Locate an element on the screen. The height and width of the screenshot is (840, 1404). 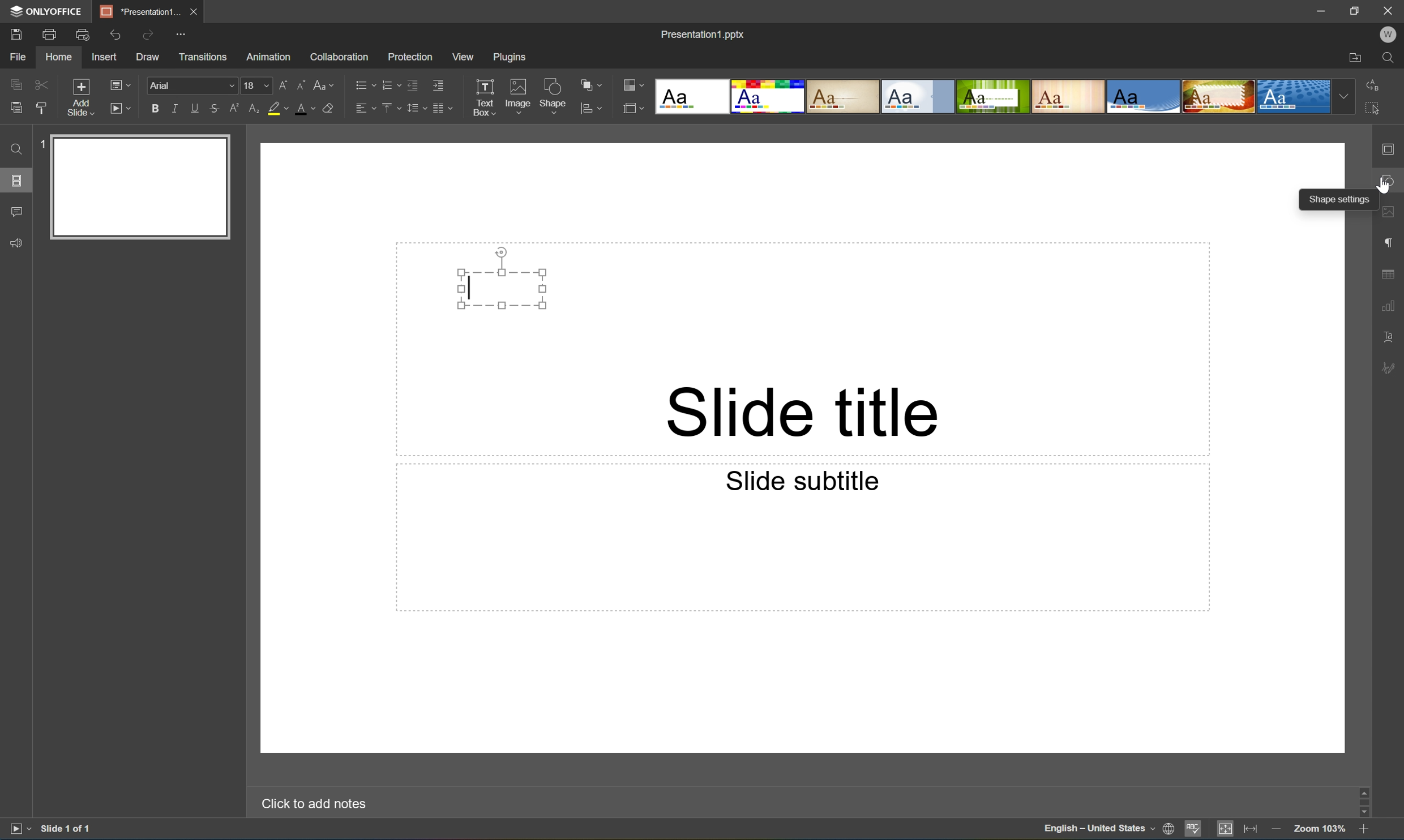
Find is located at coordinates (1393, 58).